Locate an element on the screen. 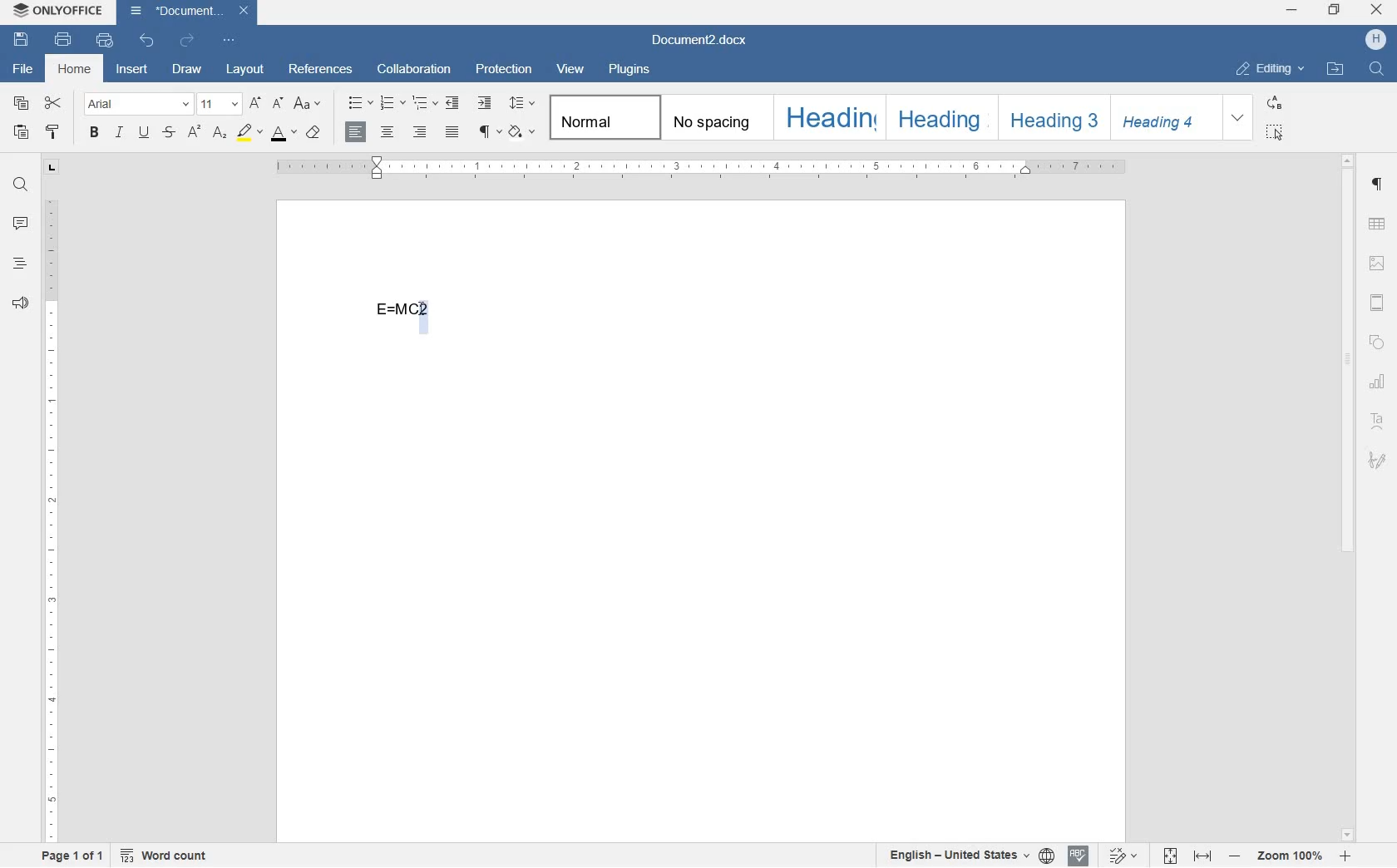 The image size is (1397, 868). increase indent is located at coordinates (484, 102).